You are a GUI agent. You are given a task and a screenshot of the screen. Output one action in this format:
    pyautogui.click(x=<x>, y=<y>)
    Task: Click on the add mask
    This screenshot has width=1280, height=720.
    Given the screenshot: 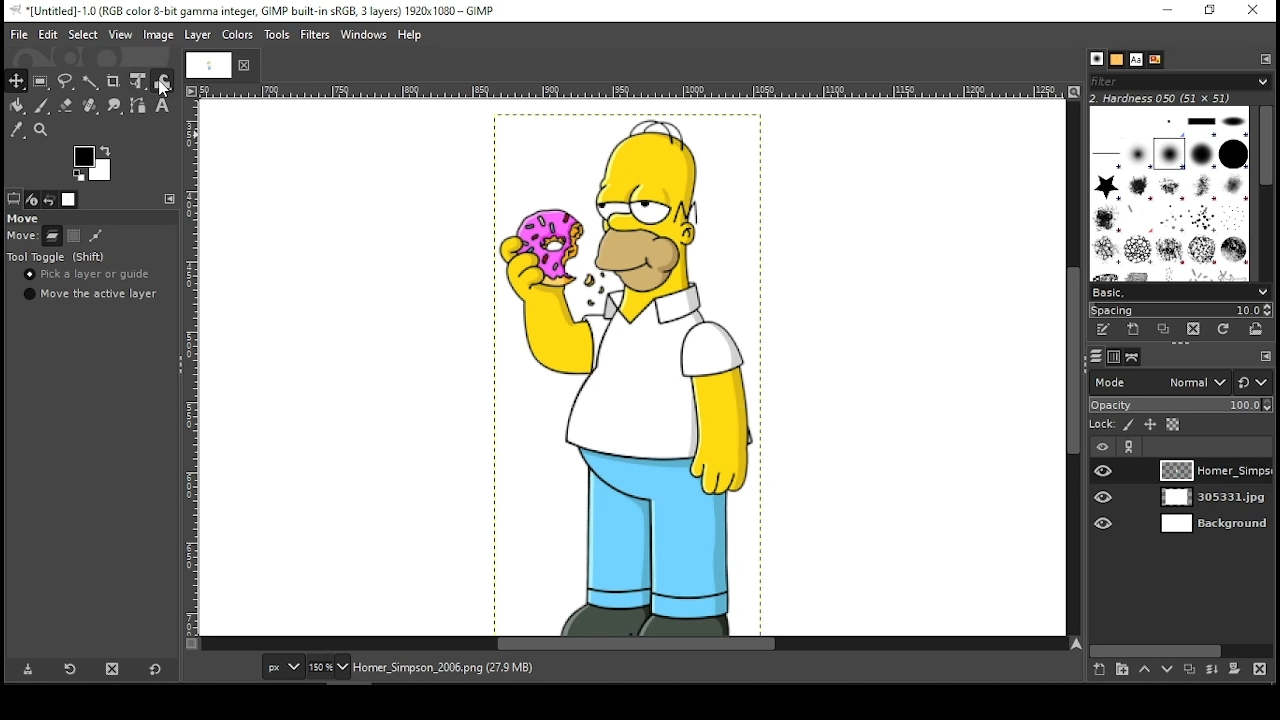 What is the action you would take?
    pyautogui.click(x=1236, y=669)
    